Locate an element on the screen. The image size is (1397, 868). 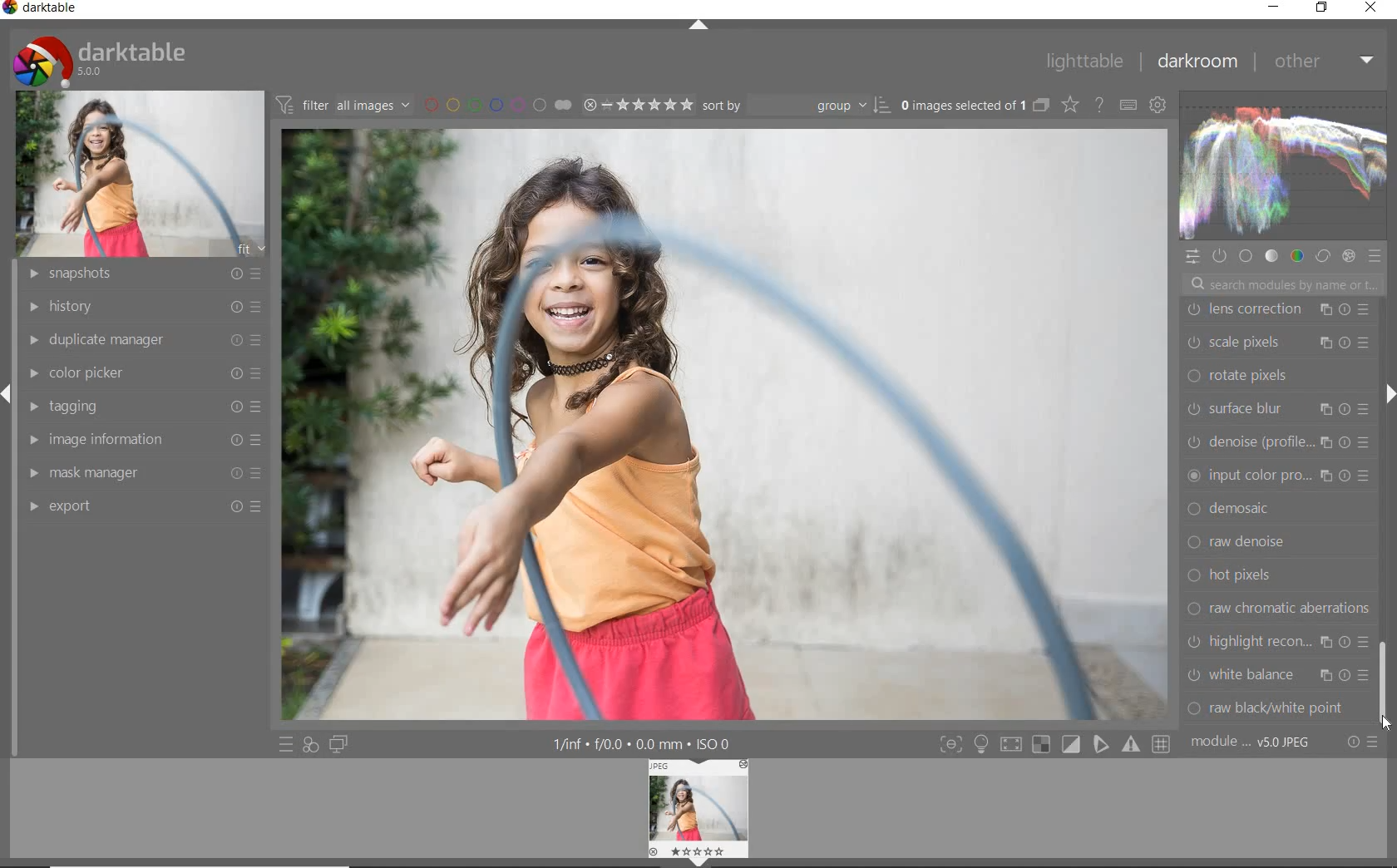
toggle mode  is located at coordinates (1071, 744).